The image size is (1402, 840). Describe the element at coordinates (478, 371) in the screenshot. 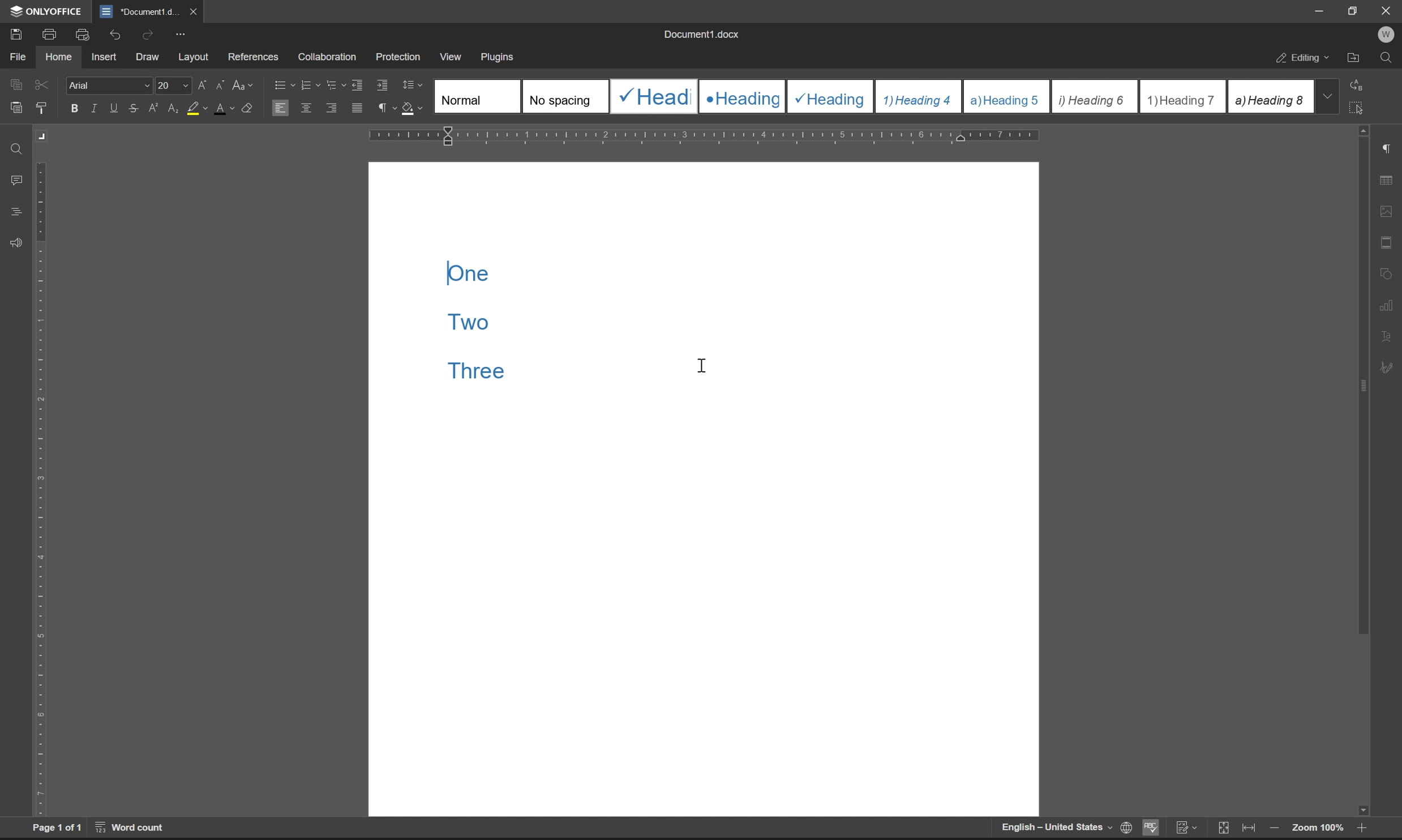

I see `three` at that location.